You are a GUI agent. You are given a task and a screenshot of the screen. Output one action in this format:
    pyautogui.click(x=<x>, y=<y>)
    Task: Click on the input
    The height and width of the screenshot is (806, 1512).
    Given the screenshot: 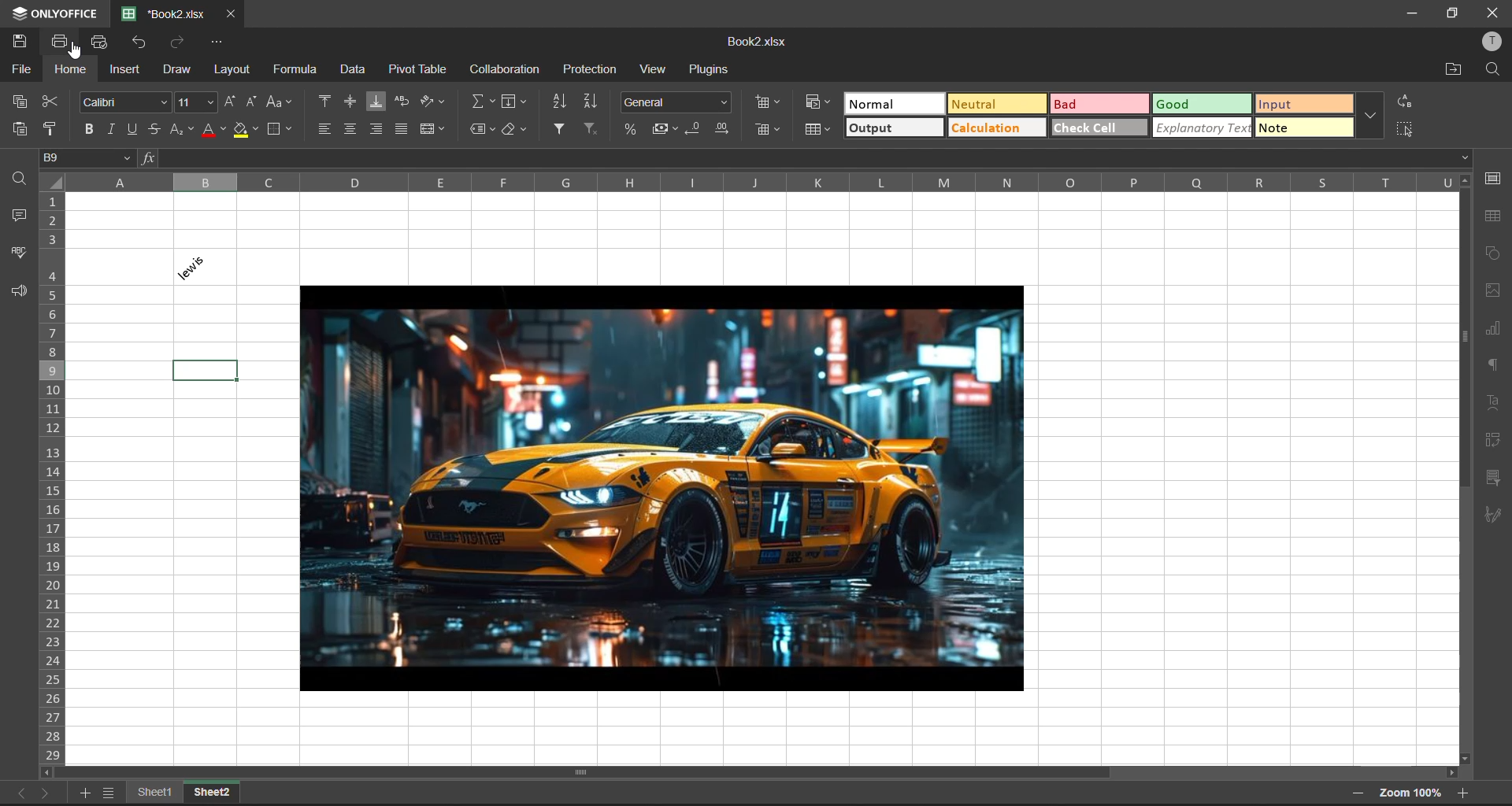 What is the action you would take?
    pyautogui.click(x=1300, y=104)
    